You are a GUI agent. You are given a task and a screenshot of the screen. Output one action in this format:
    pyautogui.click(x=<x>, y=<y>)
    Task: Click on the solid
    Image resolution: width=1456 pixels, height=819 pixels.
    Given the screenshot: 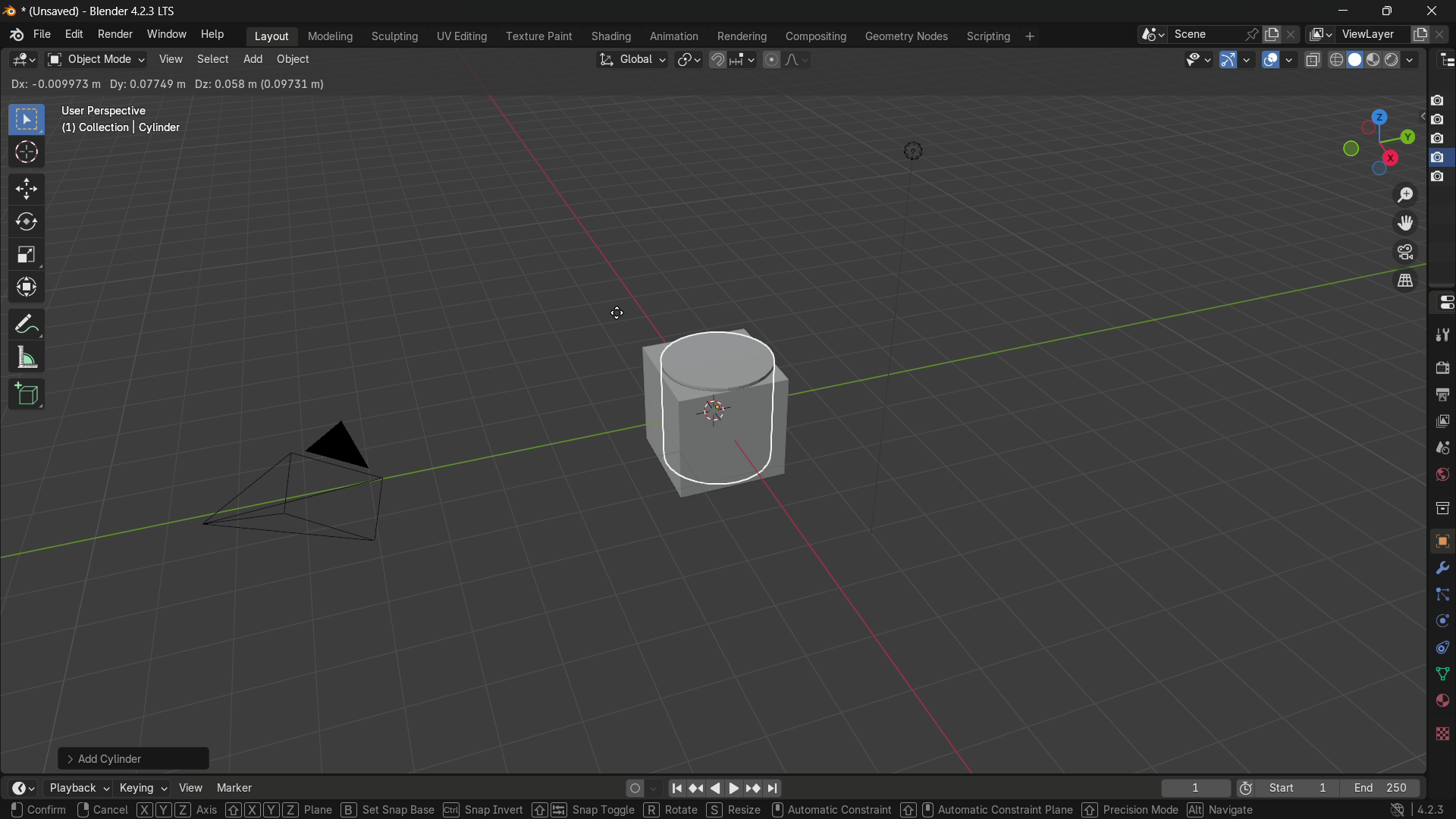 What is the action you would take?
    pyautogui.click(x=1356, y=61)
    